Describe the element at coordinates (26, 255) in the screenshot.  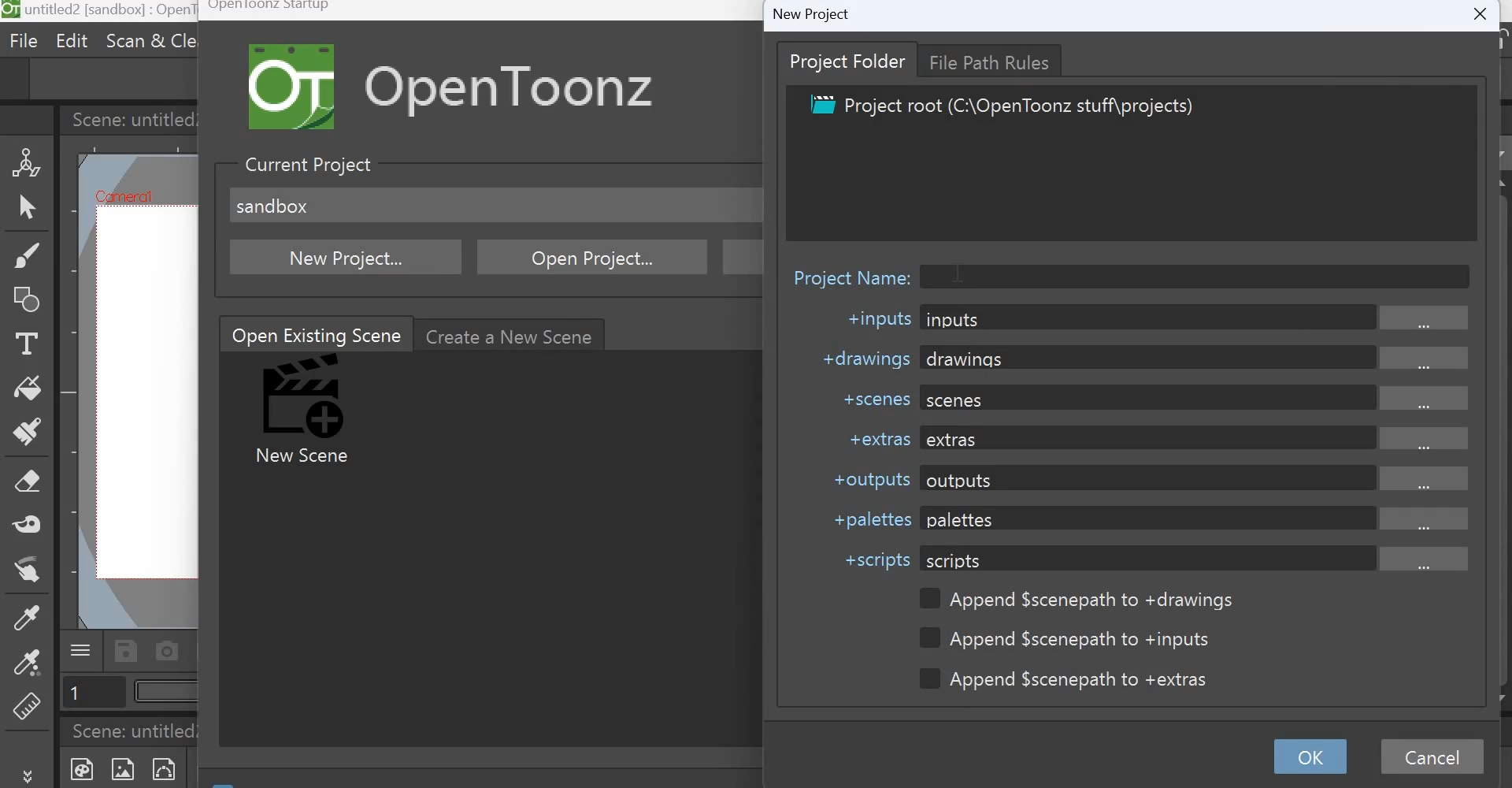
I see `Brush tool` at that location.